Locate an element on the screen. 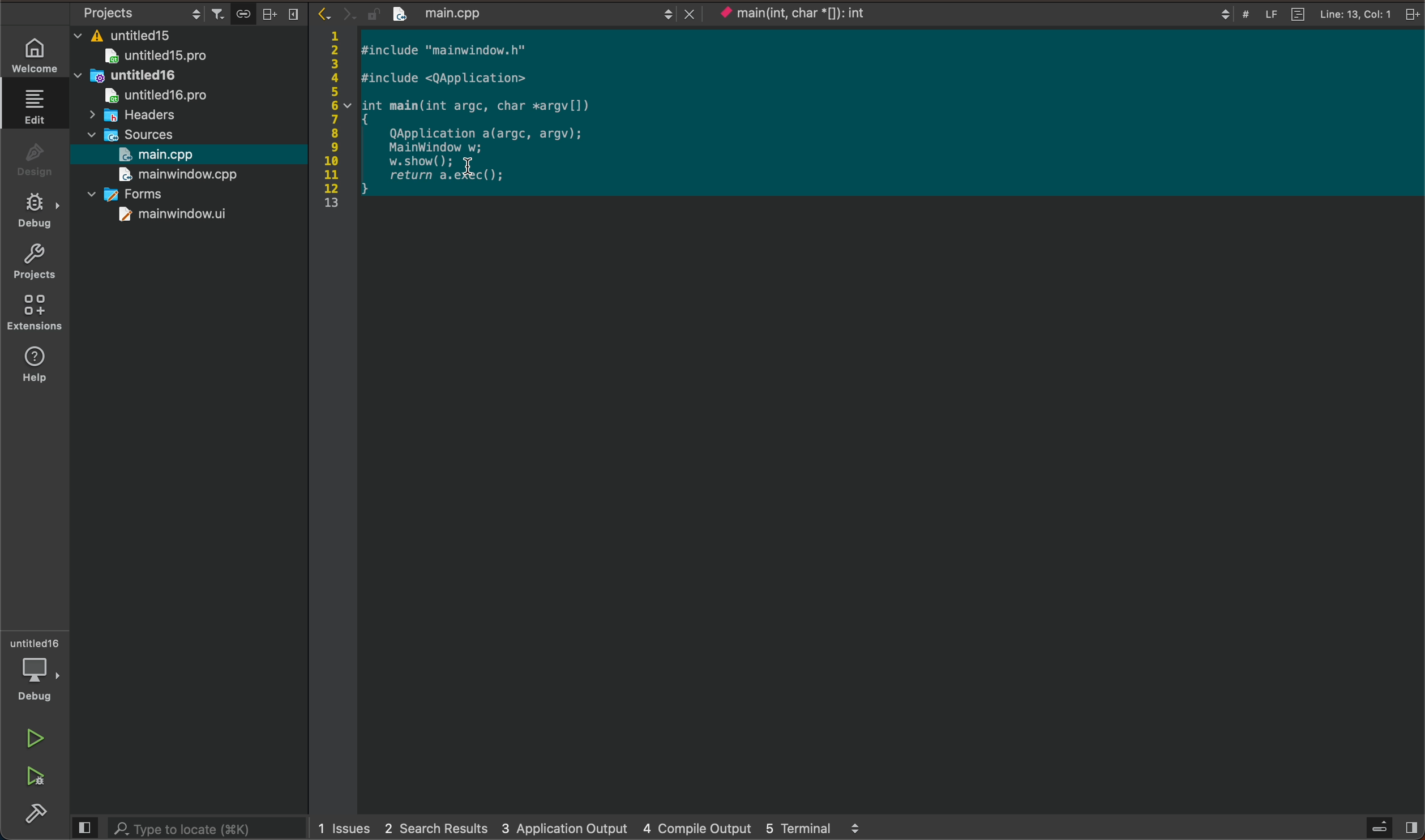 This screenshot has width=1425, height=840. select project is located at coordinates (138, 14).